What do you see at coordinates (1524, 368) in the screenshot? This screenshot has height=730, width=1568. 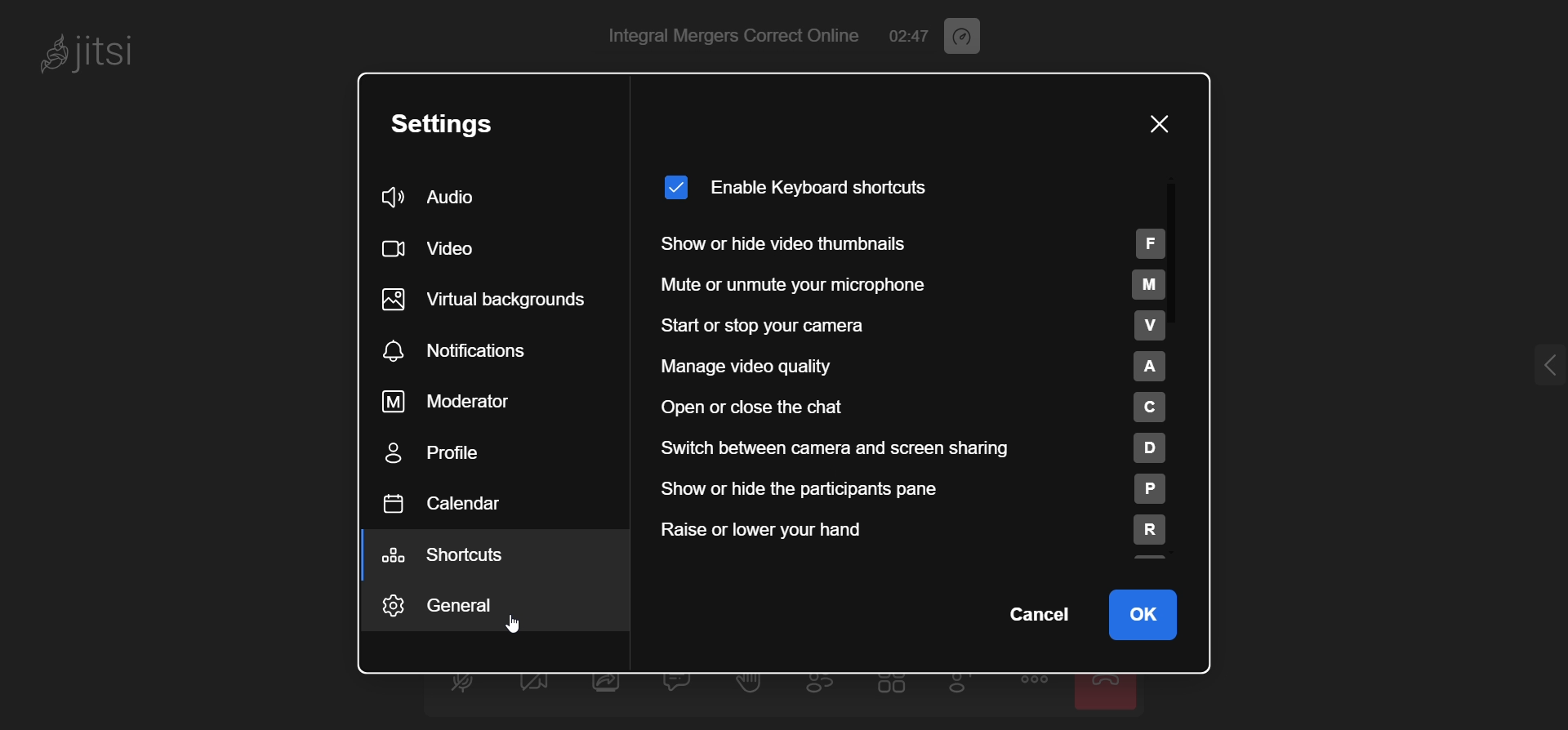 I see `Expand` at bounding box center [1524, 368].